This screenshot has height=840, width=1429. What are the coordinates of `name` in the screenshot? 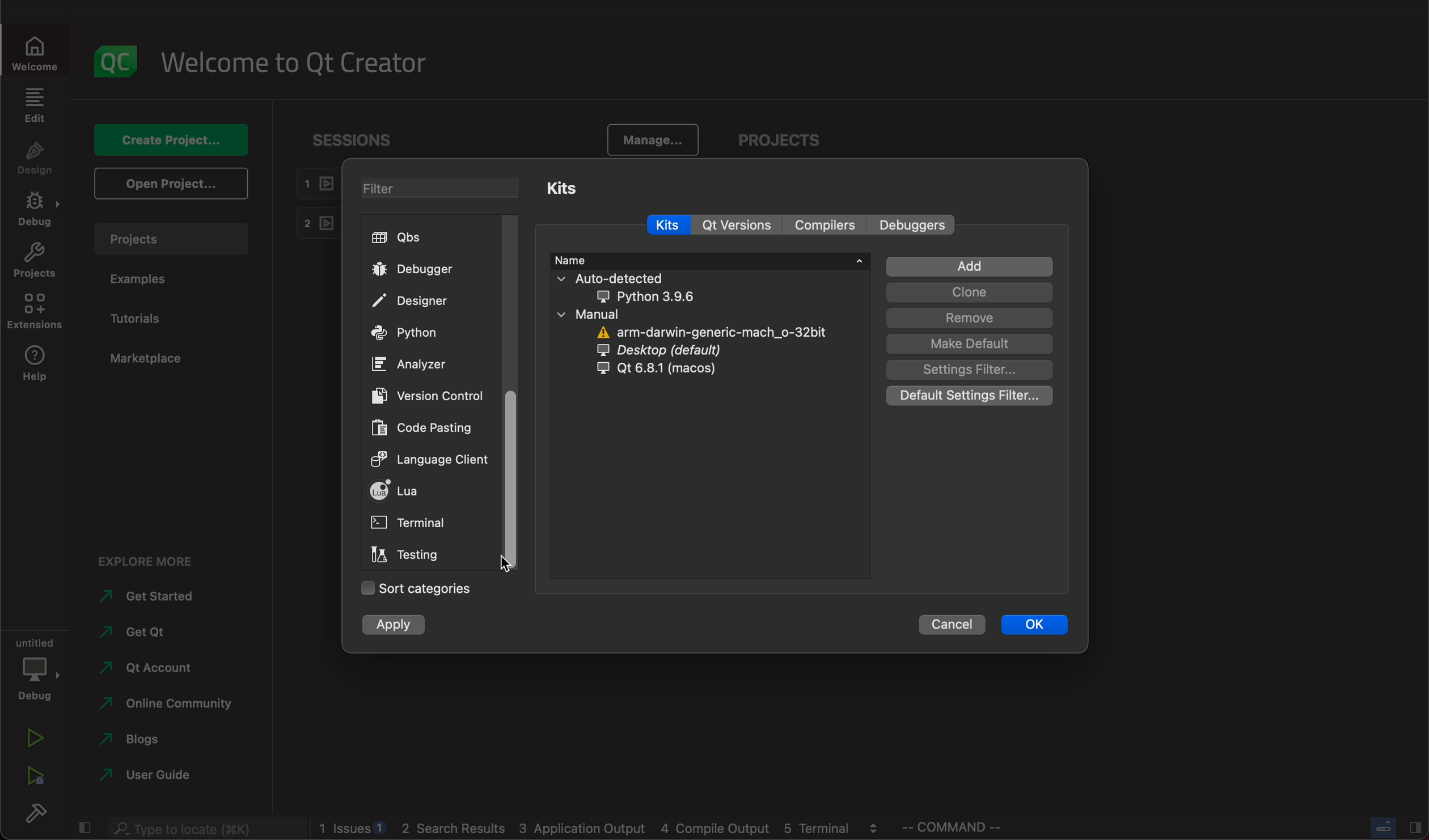 It's located at (709, 260).